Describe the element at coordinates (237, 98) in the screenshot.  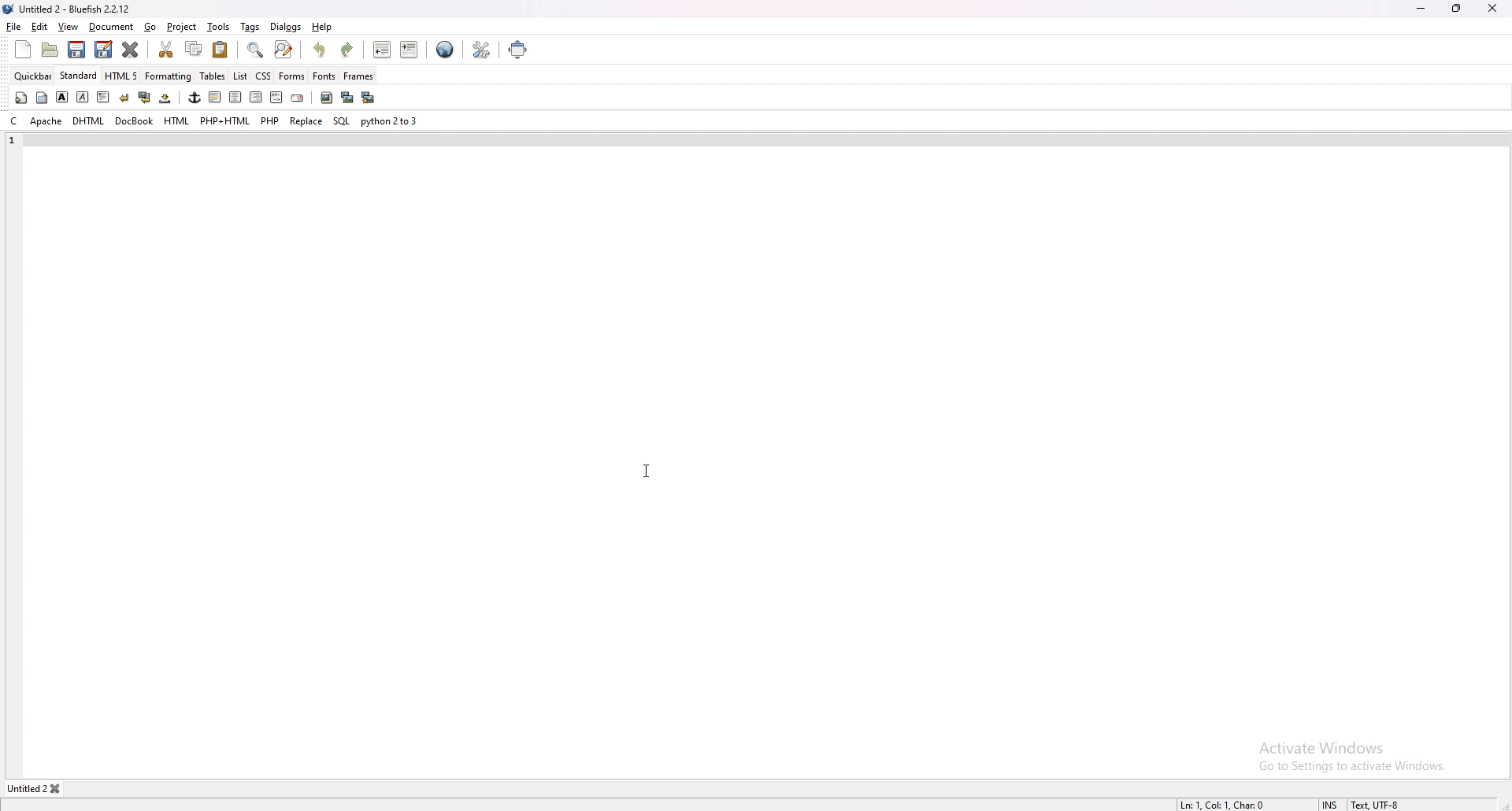
I see `center` at that location.